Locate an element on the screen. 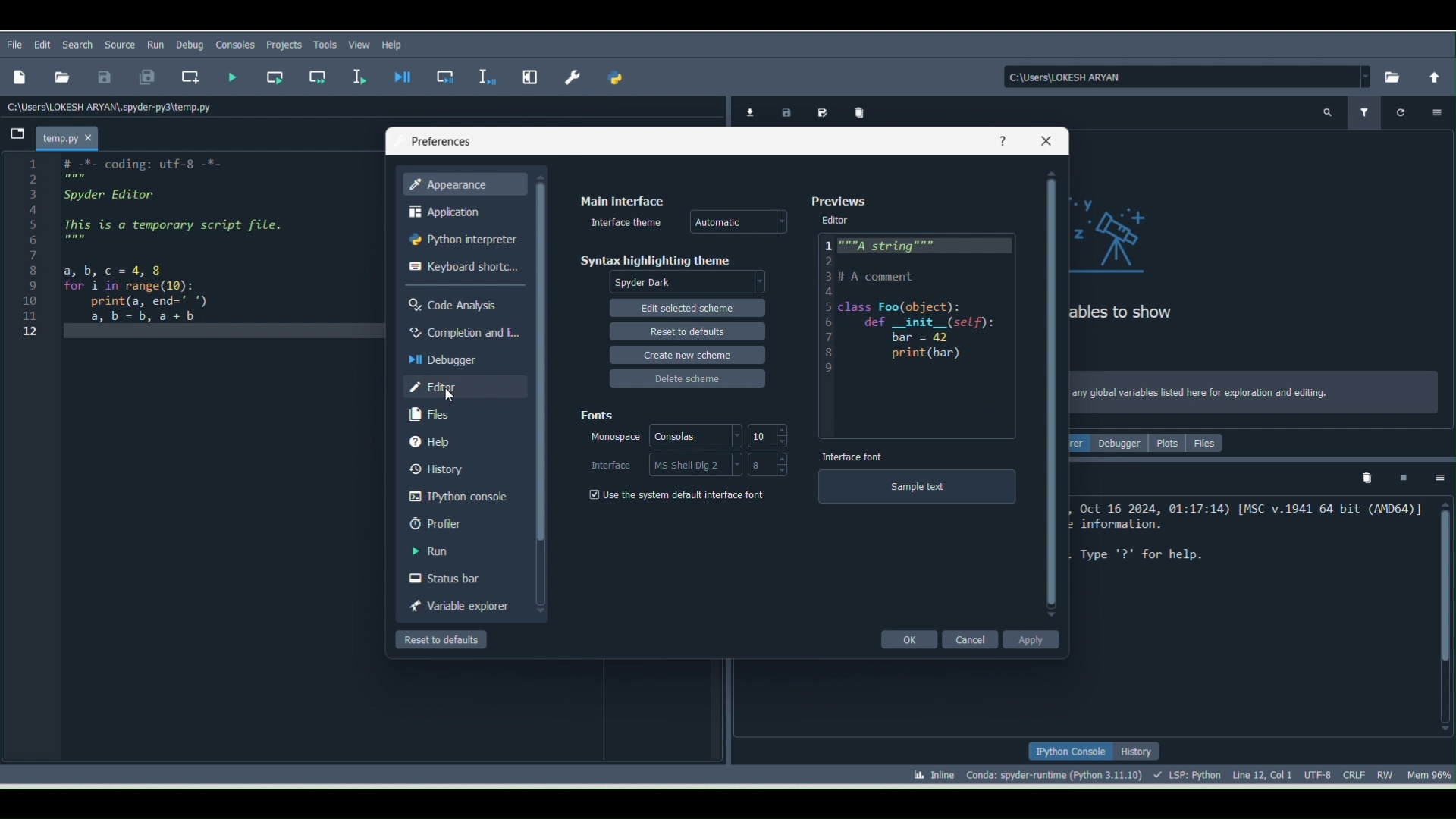  IPython console is located at coordinates (460, 494).